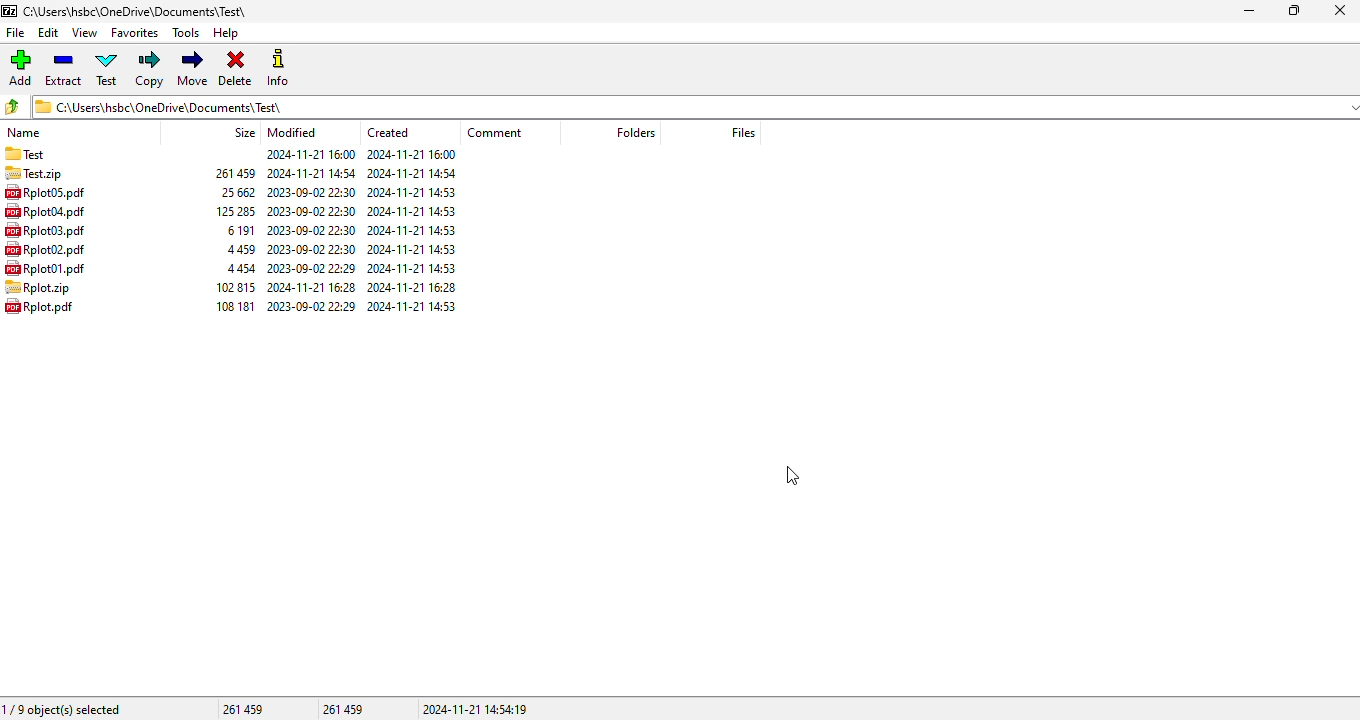  I want to click on modified date & time, so click(311, 230).